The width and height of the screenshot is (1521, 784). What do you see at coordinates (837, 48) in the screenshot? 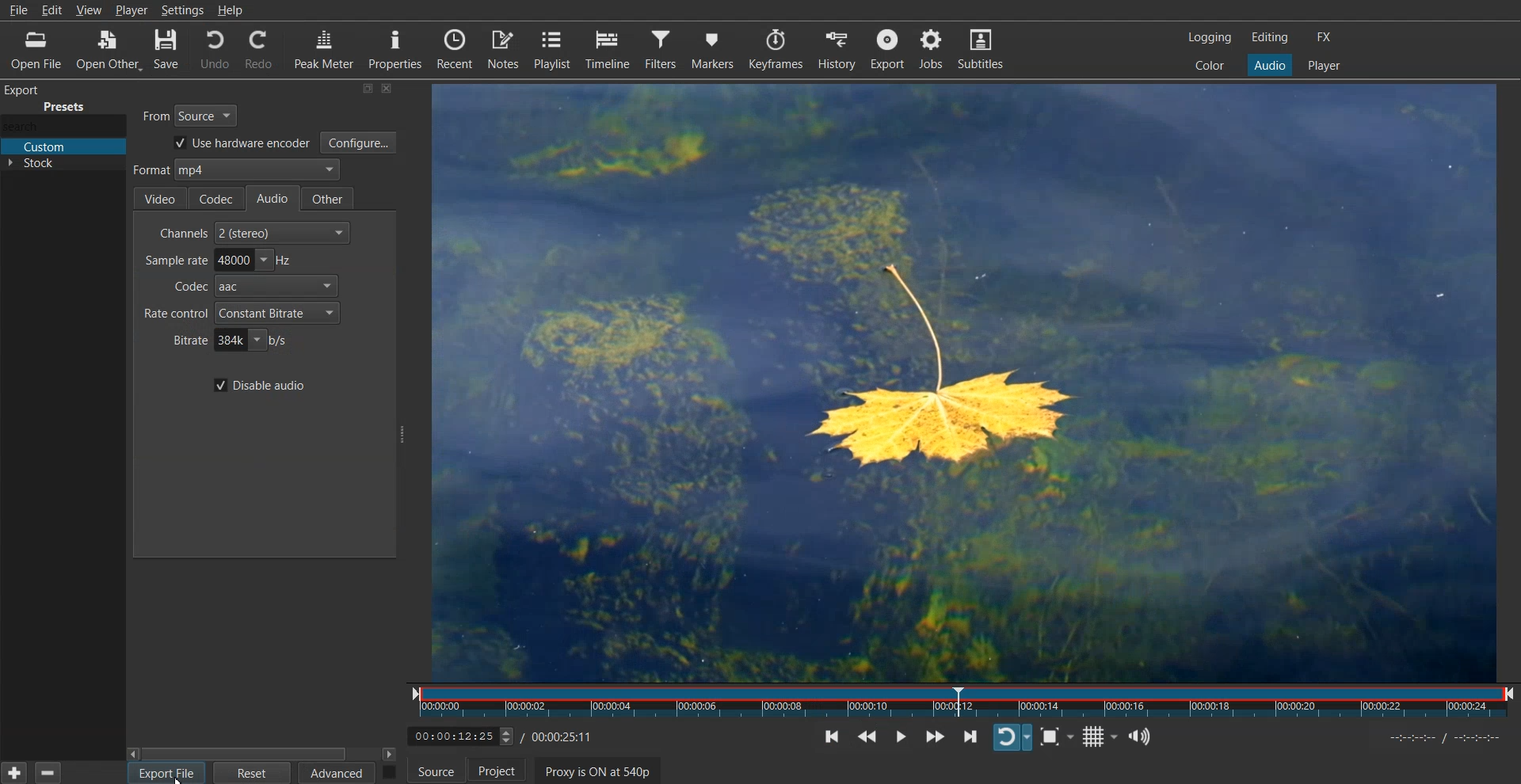
I see `History` at bounding box center [837, 48].